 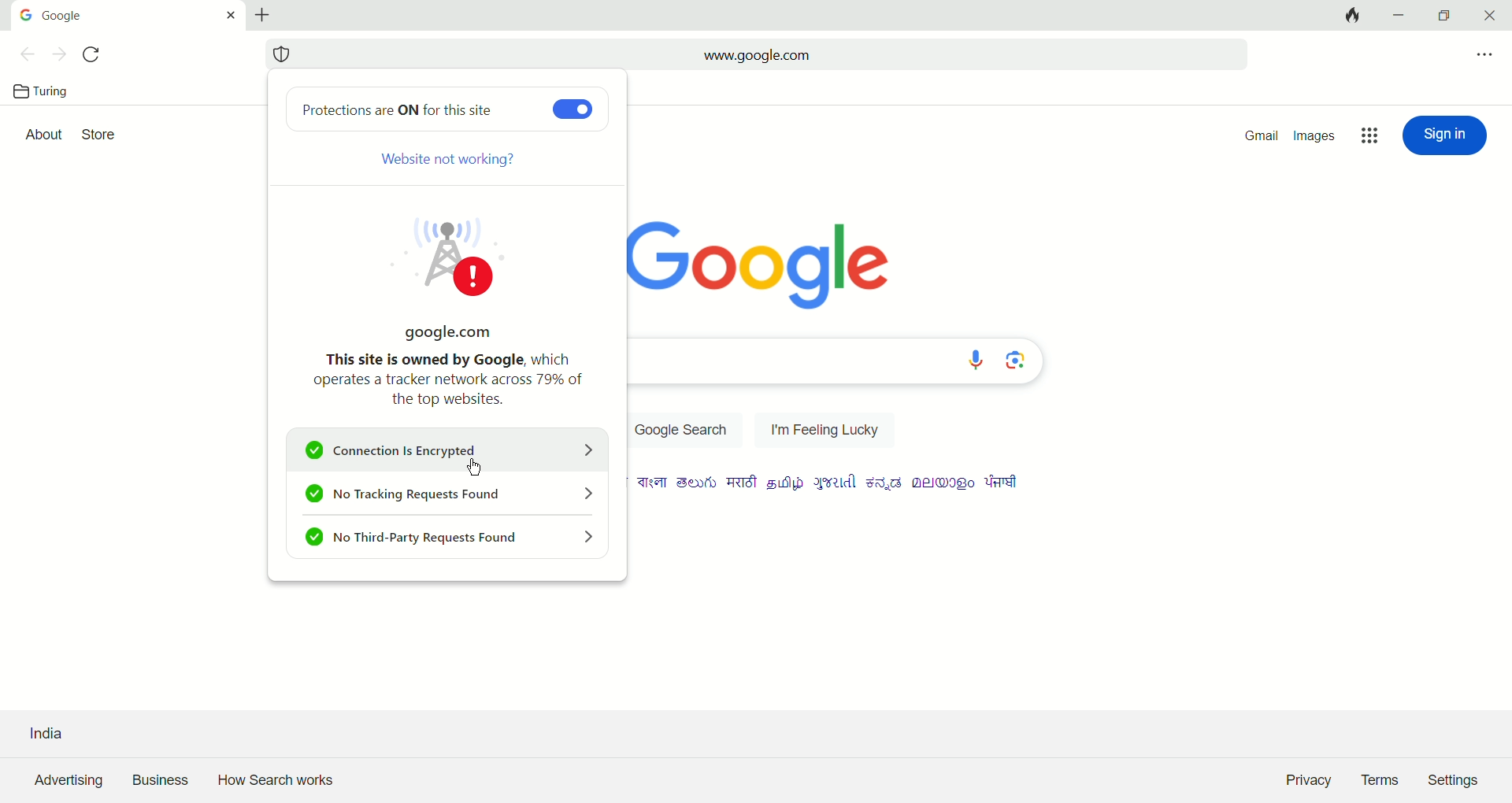 What do you see at coordinates (102, 134) in the screenshot?
I see `store` at bounding box center [102, 134].